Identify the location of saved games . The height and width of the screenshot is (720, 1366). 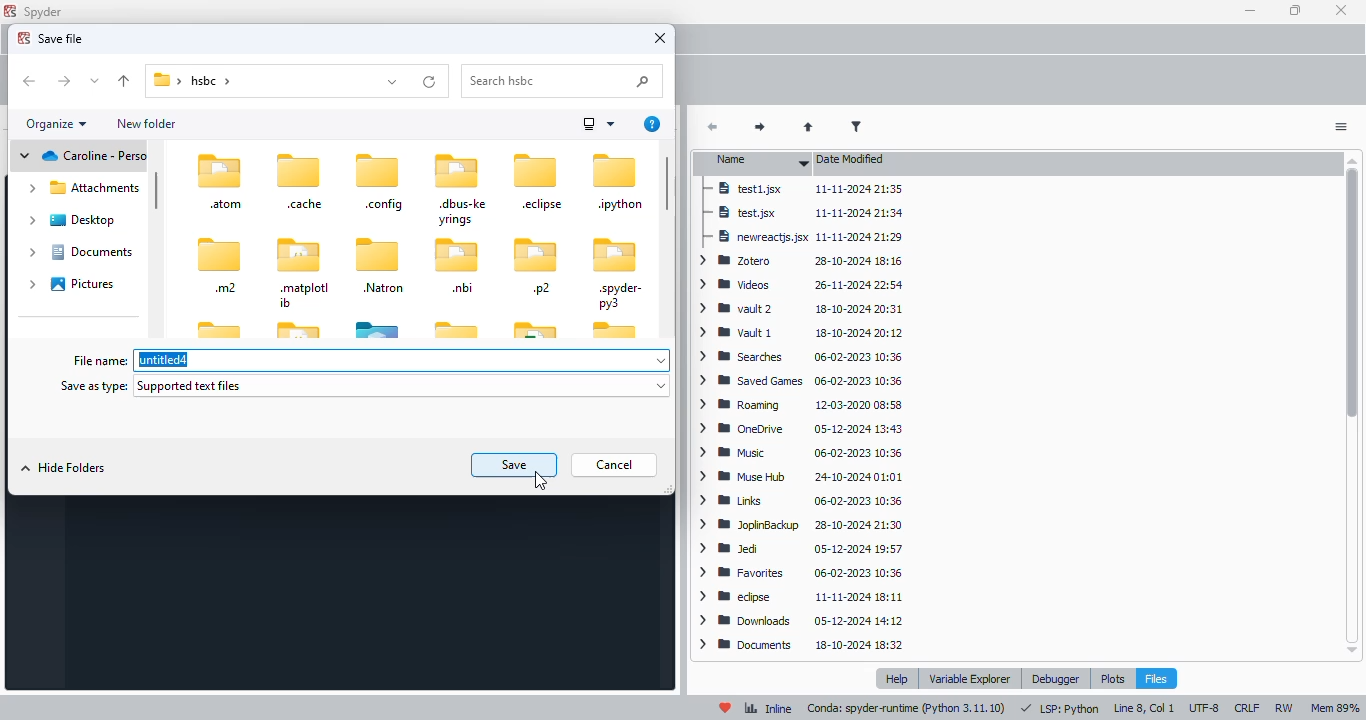
(752, 380).